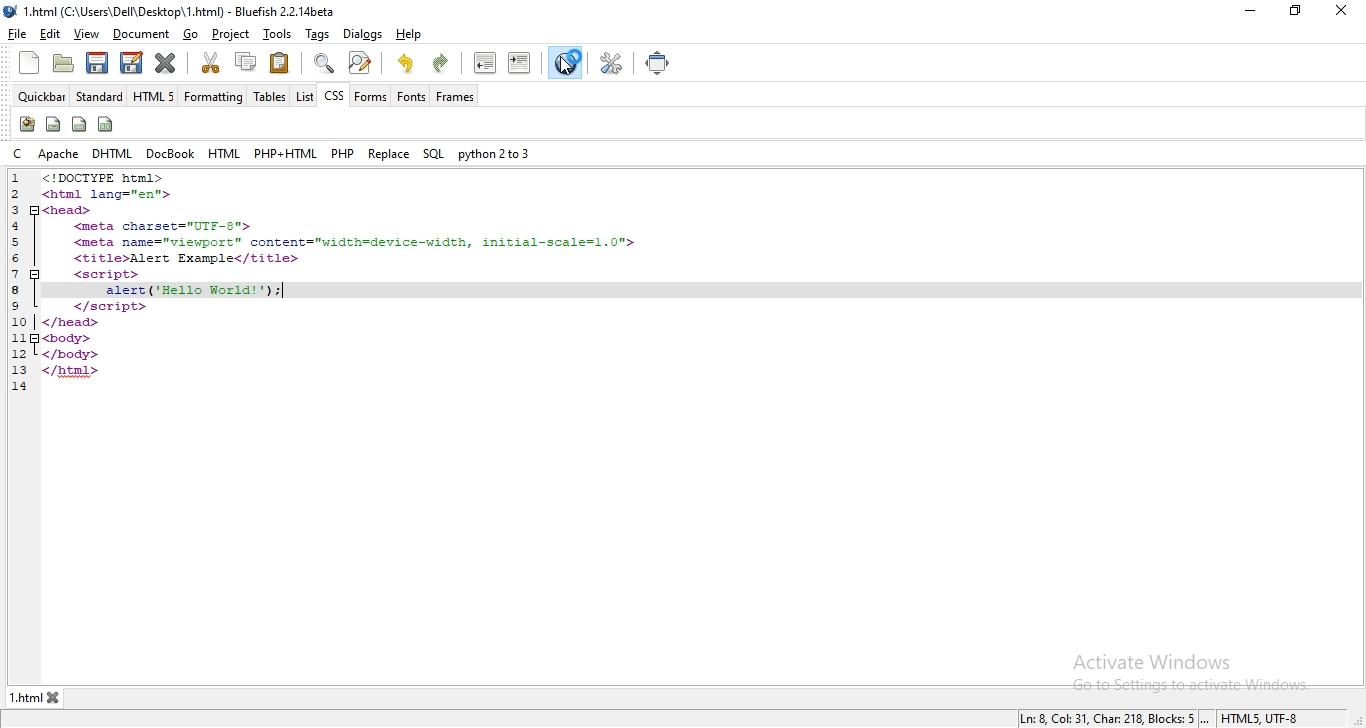 The height and width of the screenshot is (728, 1366). Describe the element at coordinates (20, 179) in the screenshot. I see `1` at that location.